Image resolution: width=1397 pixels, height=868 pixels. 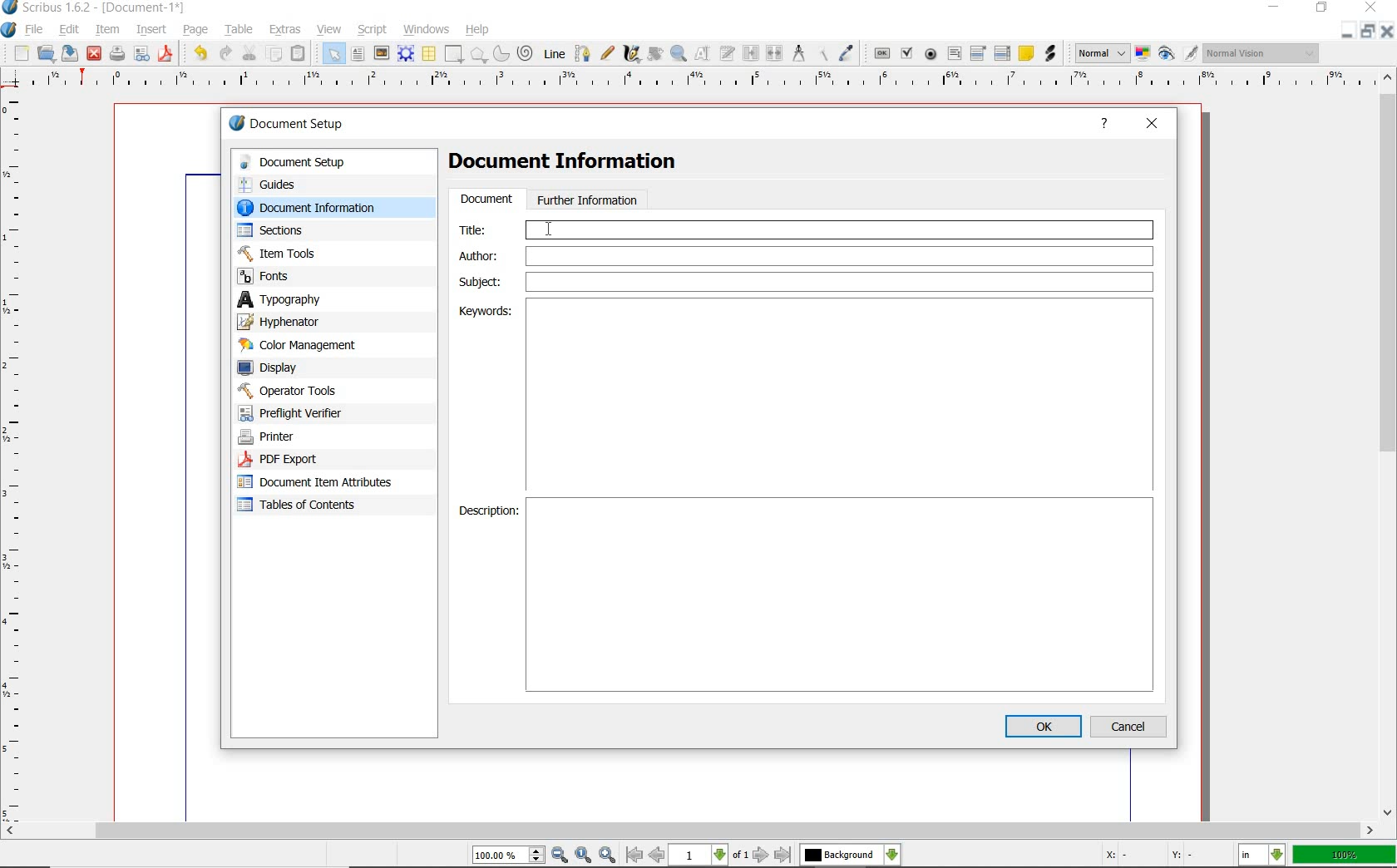 What do you see at coordinates (552, 228) in the screenshot?
I see `cursor` at bounding box center [552, 228].